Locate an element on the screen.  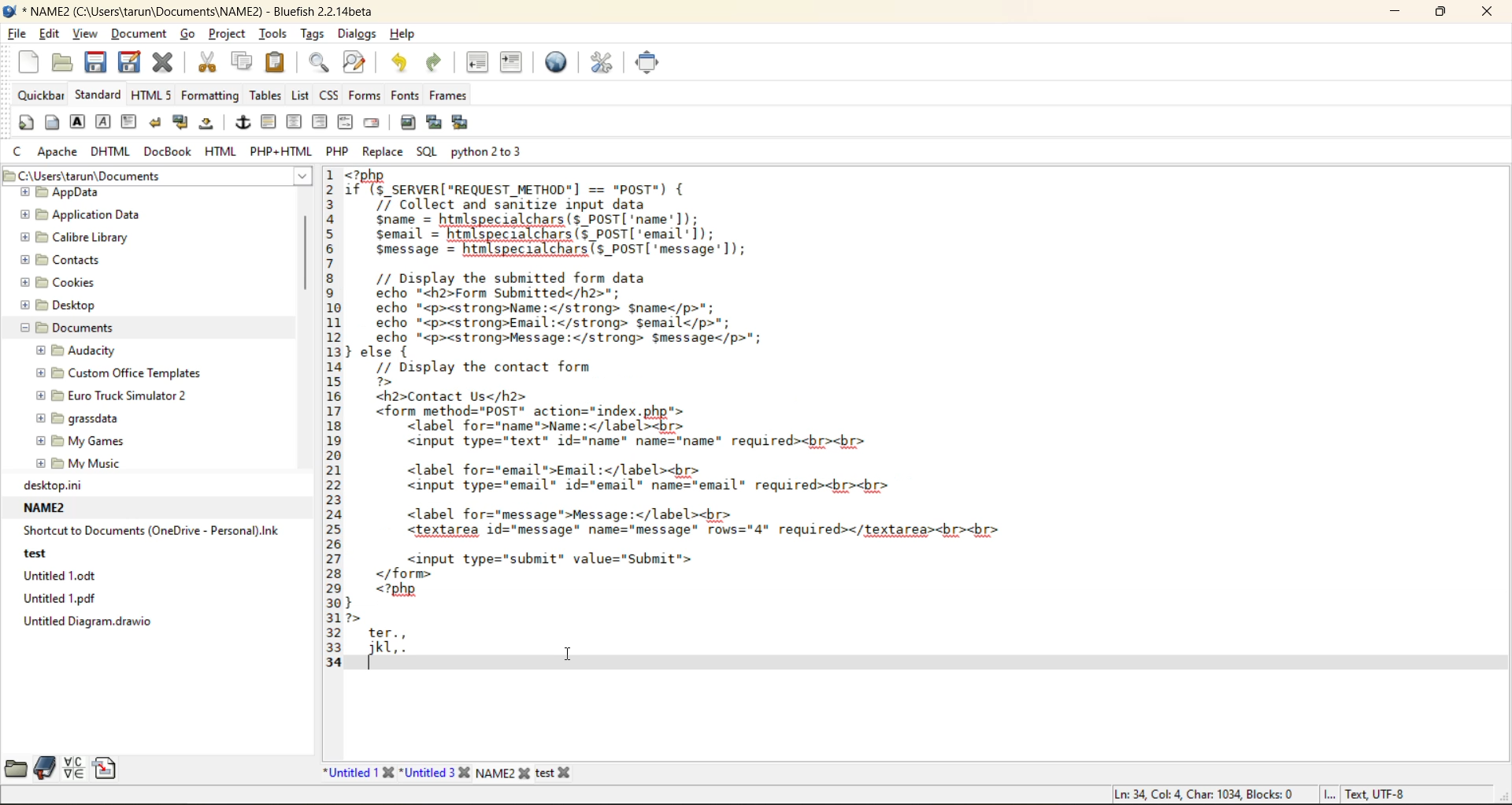
maximize is located at coordinates (1440, 13).